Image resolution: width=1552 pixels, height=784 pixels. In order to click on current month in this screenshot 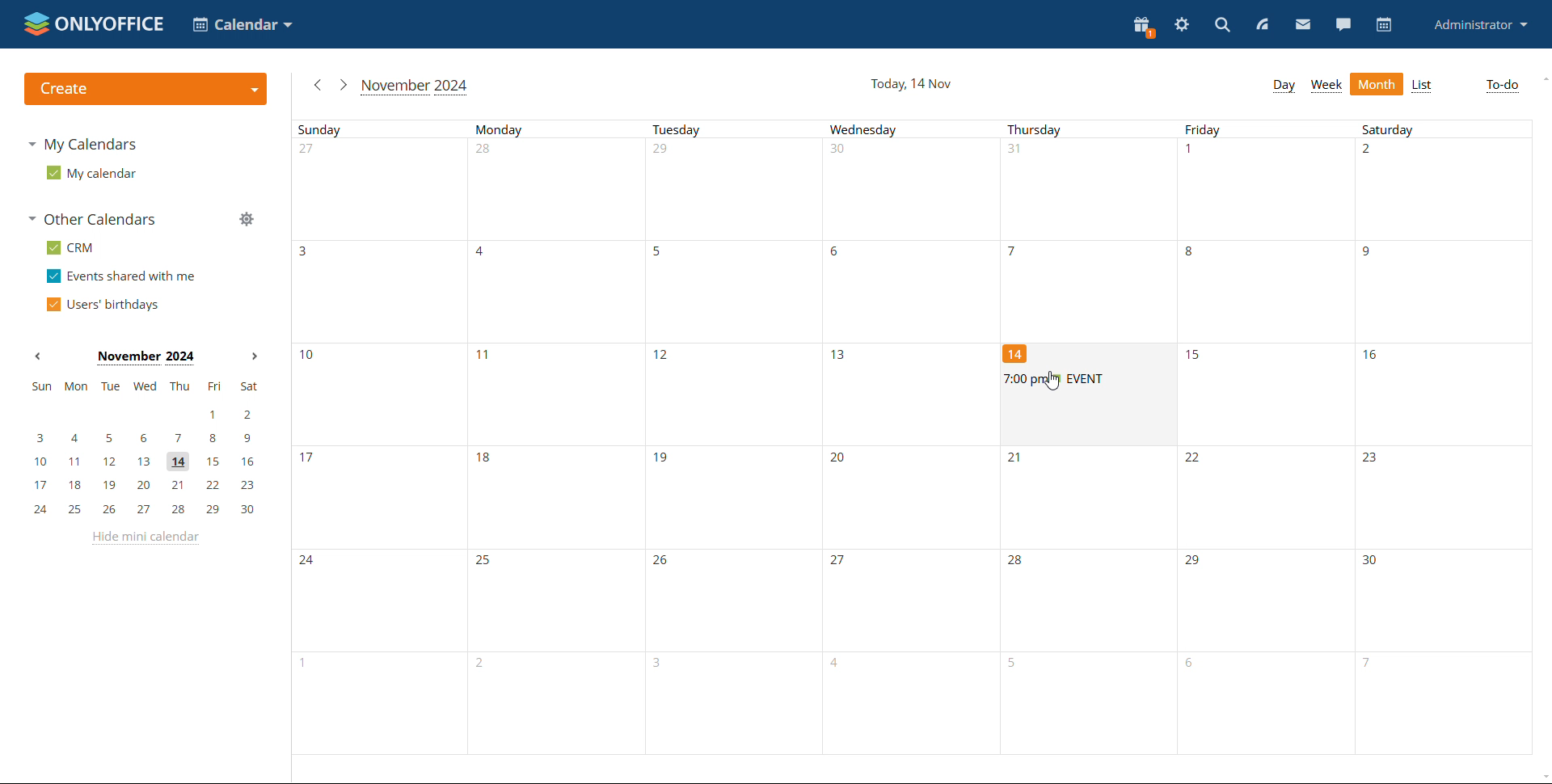, I will do `click(414, 87)`.